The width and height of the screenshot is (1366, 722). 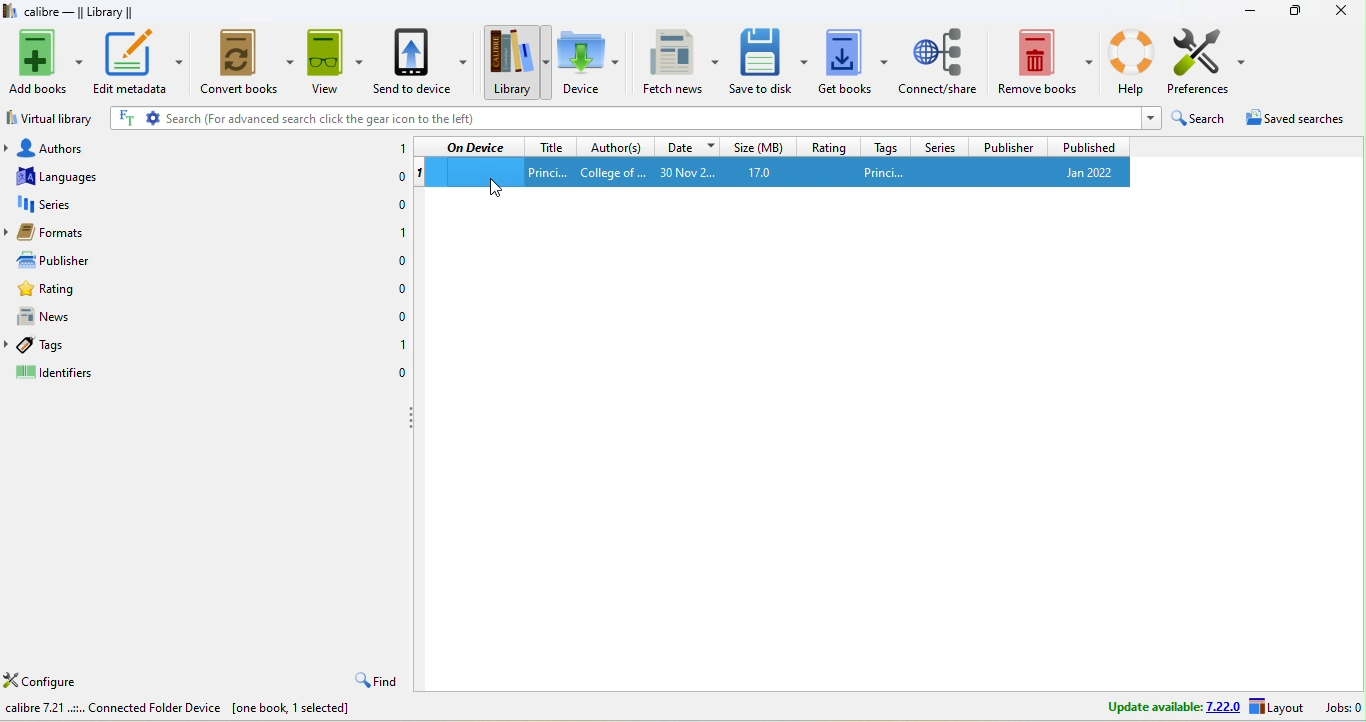 What do you see at coordinates (420, 173) in the screenshot?
I see `1` at bounding box center [420, 173].